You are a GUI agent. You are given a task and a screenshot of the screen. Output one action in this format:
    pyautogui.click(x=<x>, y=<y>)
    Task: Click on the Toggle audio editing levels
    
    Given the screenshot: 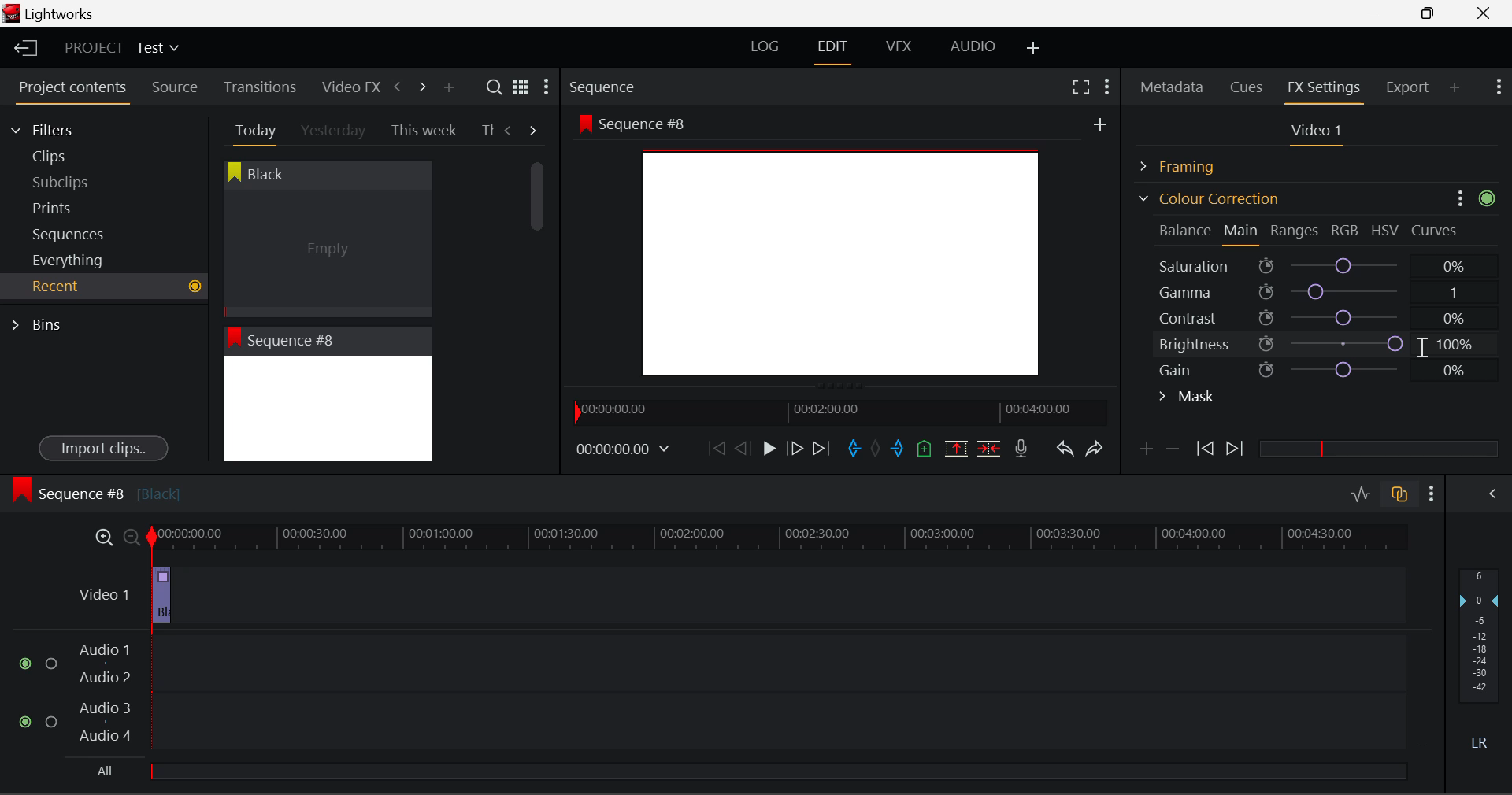 What is the action you would take?
    pyautogui.click(x=1362, y=492)
    